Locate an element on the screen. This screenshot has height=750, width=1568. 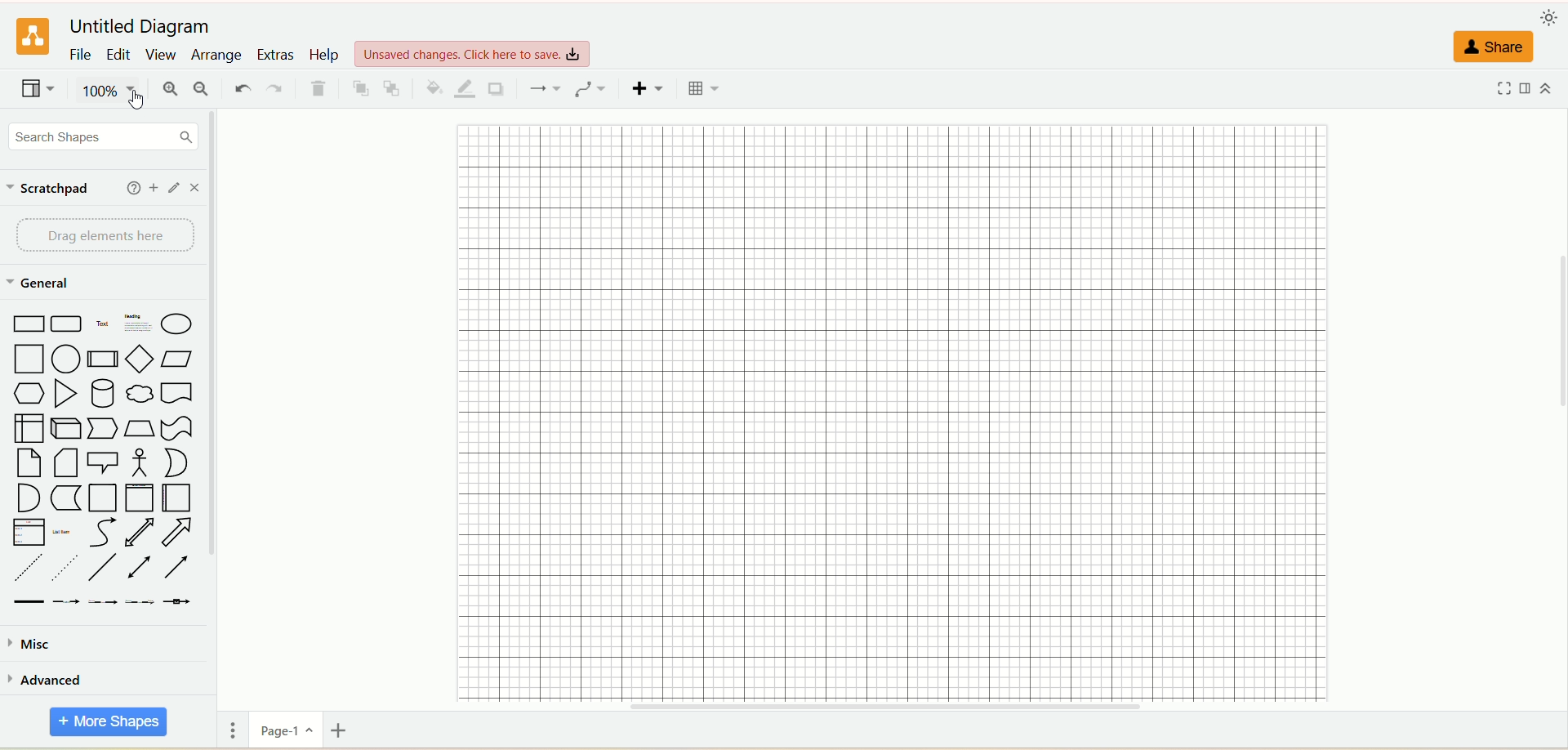
undo is located at coordinates (243, 87).